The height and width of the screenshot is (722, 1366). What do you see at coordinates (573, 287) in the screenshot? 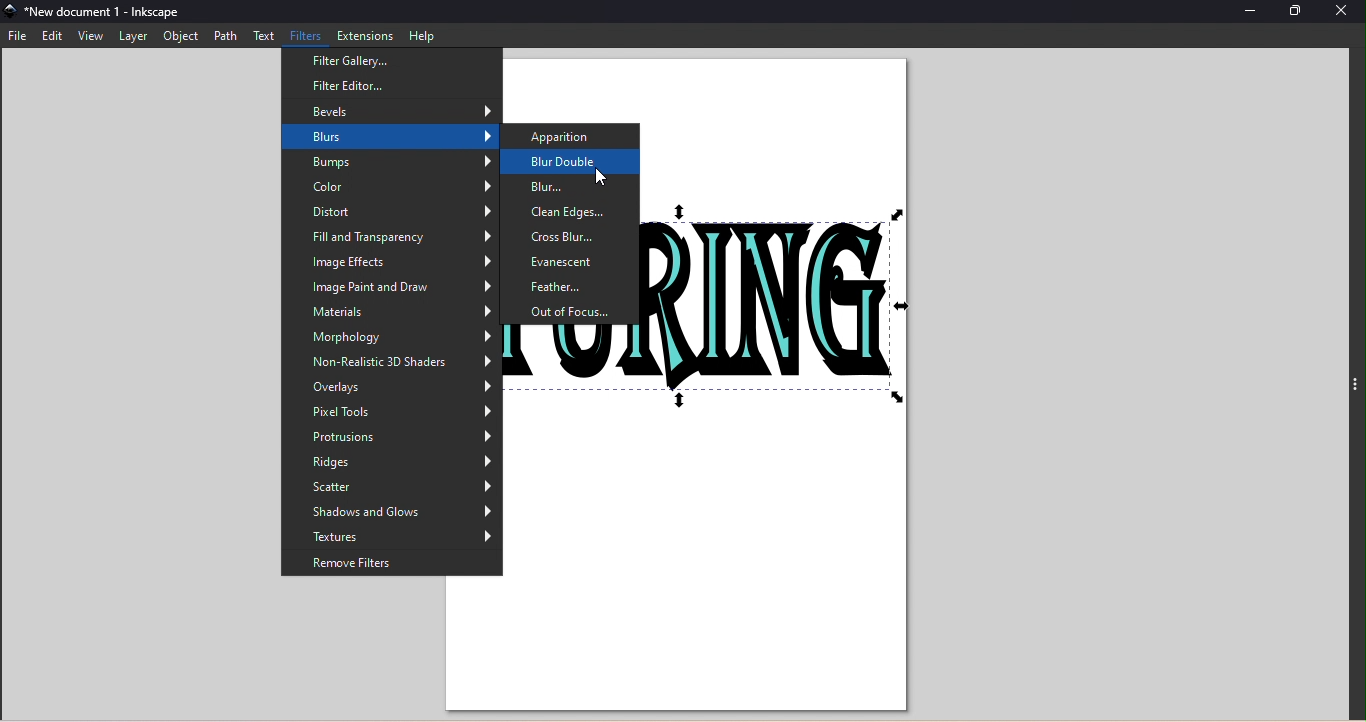
I see `Feather...` at bounding box center [573, 287].